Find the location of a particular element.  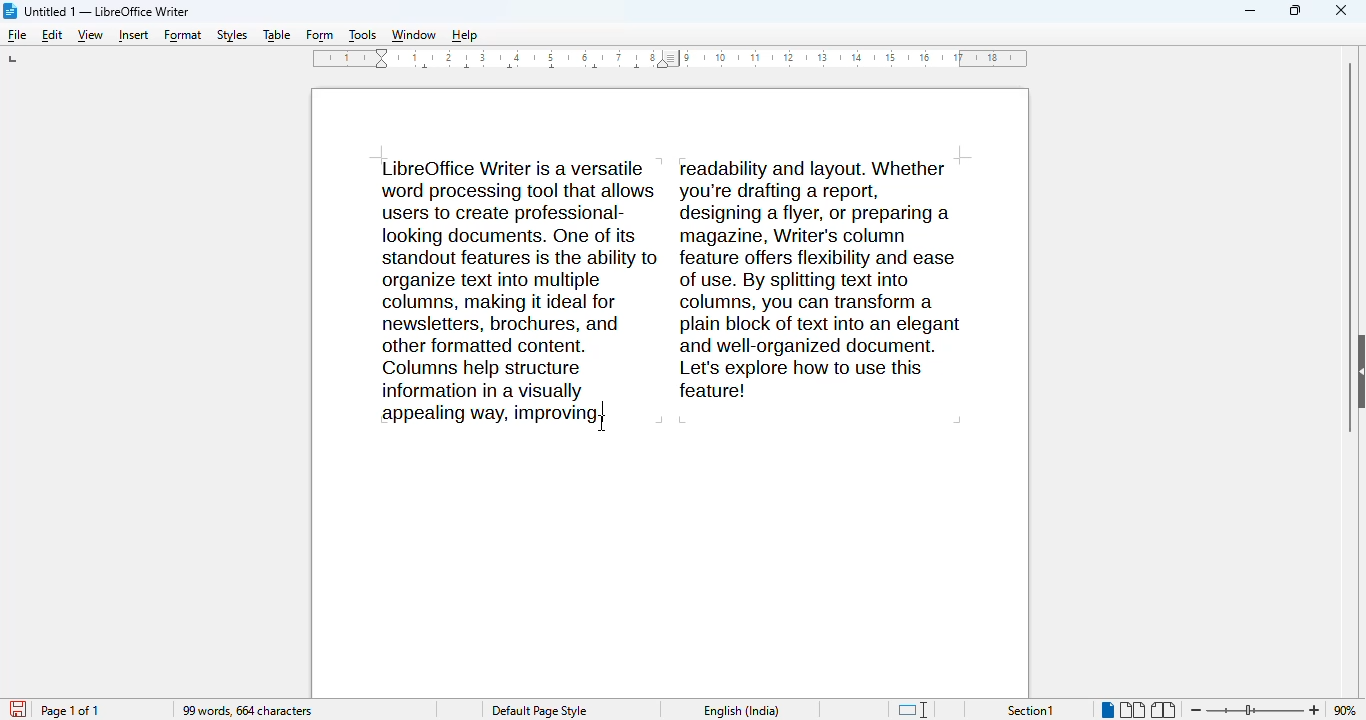

demo text is located at coordinates (672, 278).